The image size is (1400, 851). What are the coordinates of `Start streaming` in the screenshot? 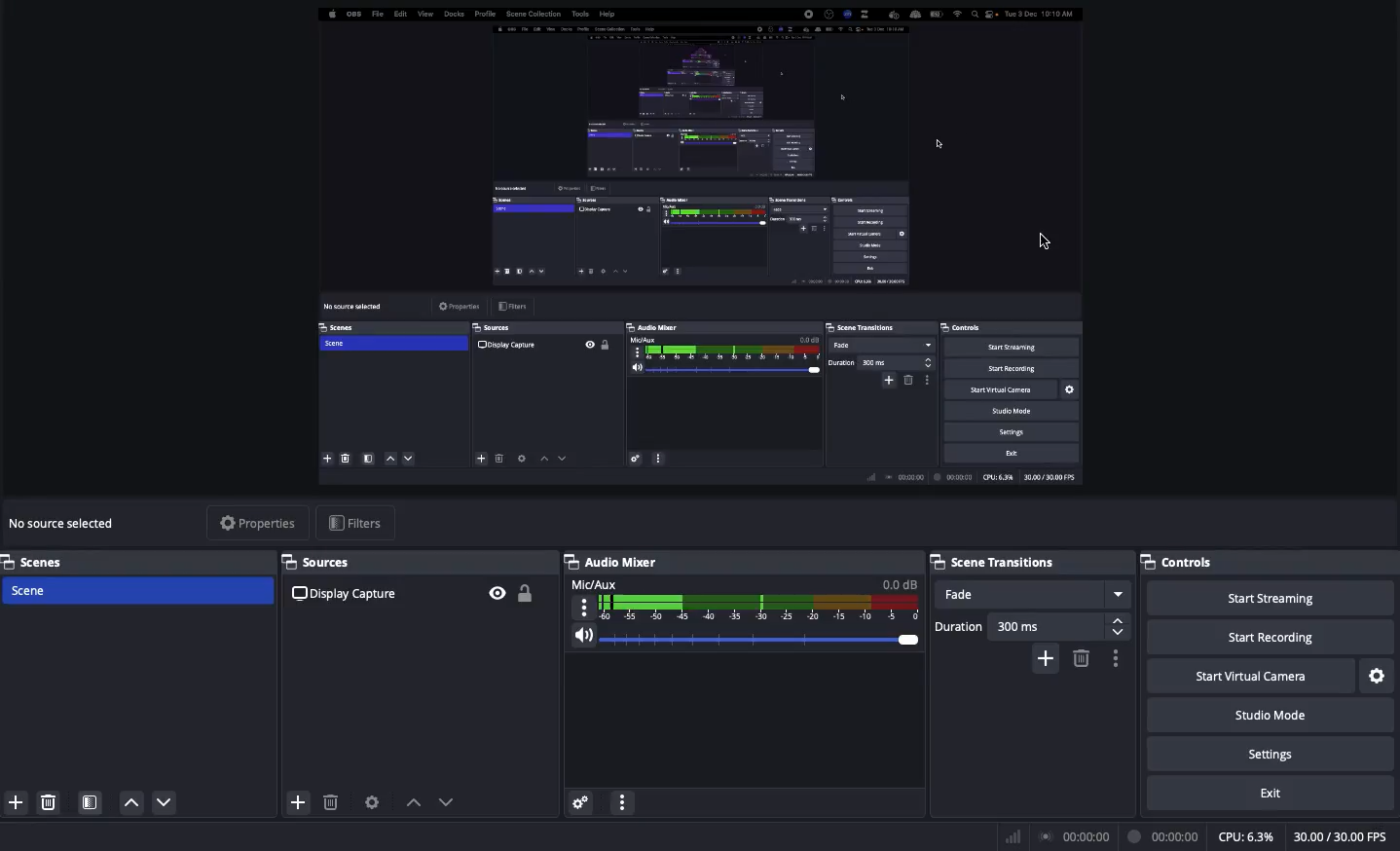 It's located at (1272, 596).